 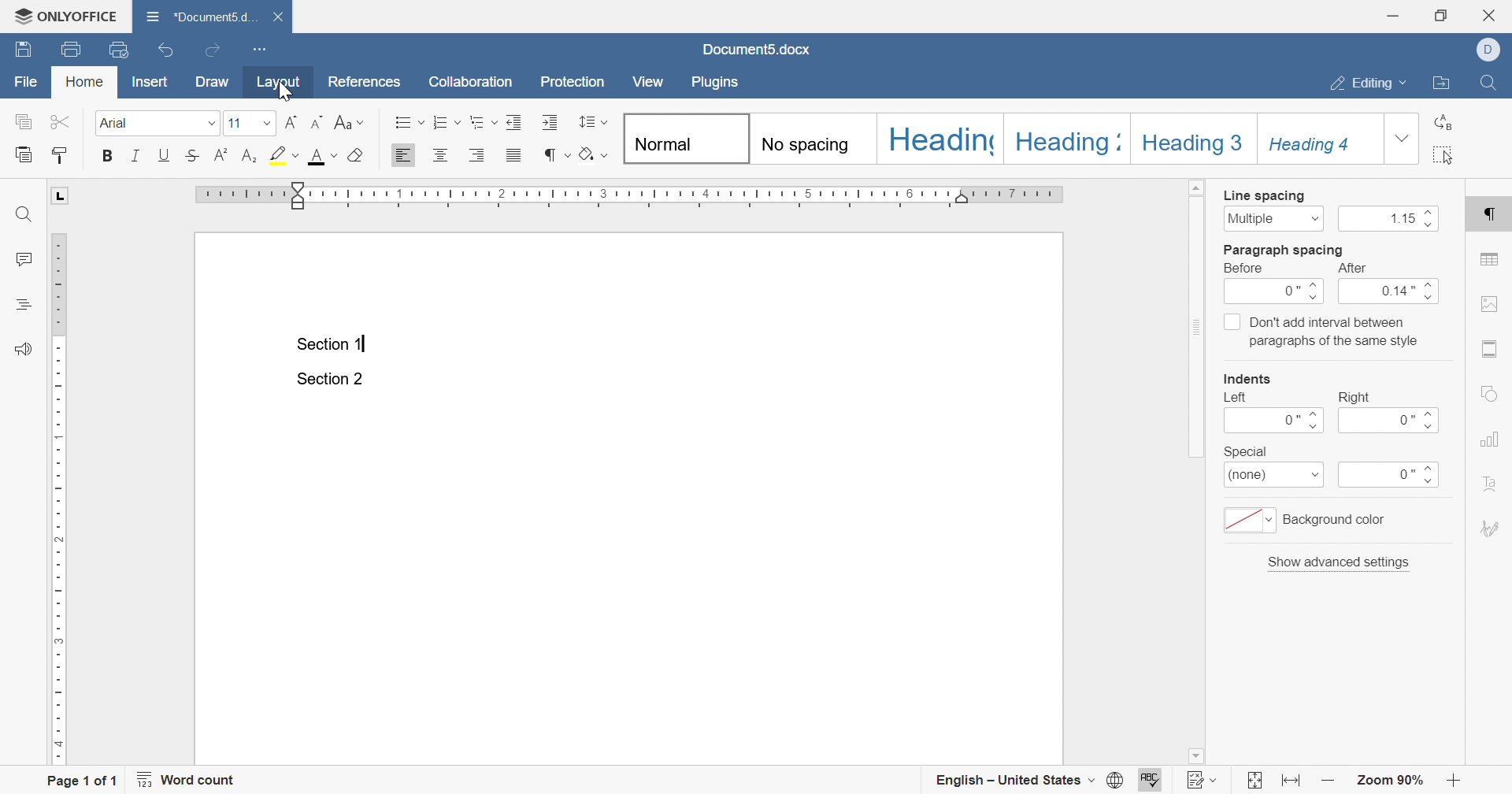 What do you see at coordinates (358, 155) in the screenshot?
I see `clear style` at bounding box center [358, 155].